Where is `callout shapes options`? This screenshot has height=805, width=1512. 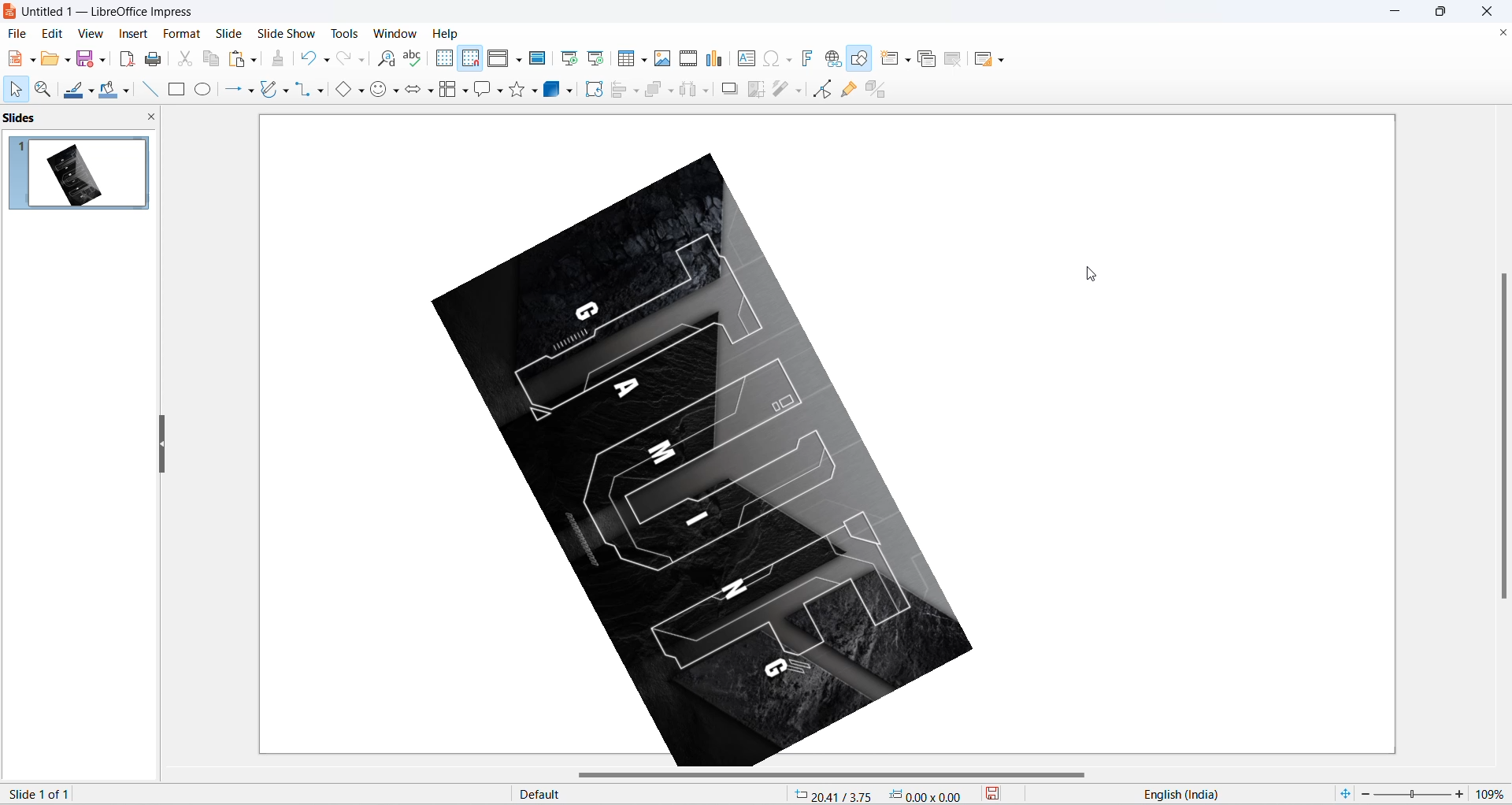
callout shapes options is located at coordinates (498, 92).